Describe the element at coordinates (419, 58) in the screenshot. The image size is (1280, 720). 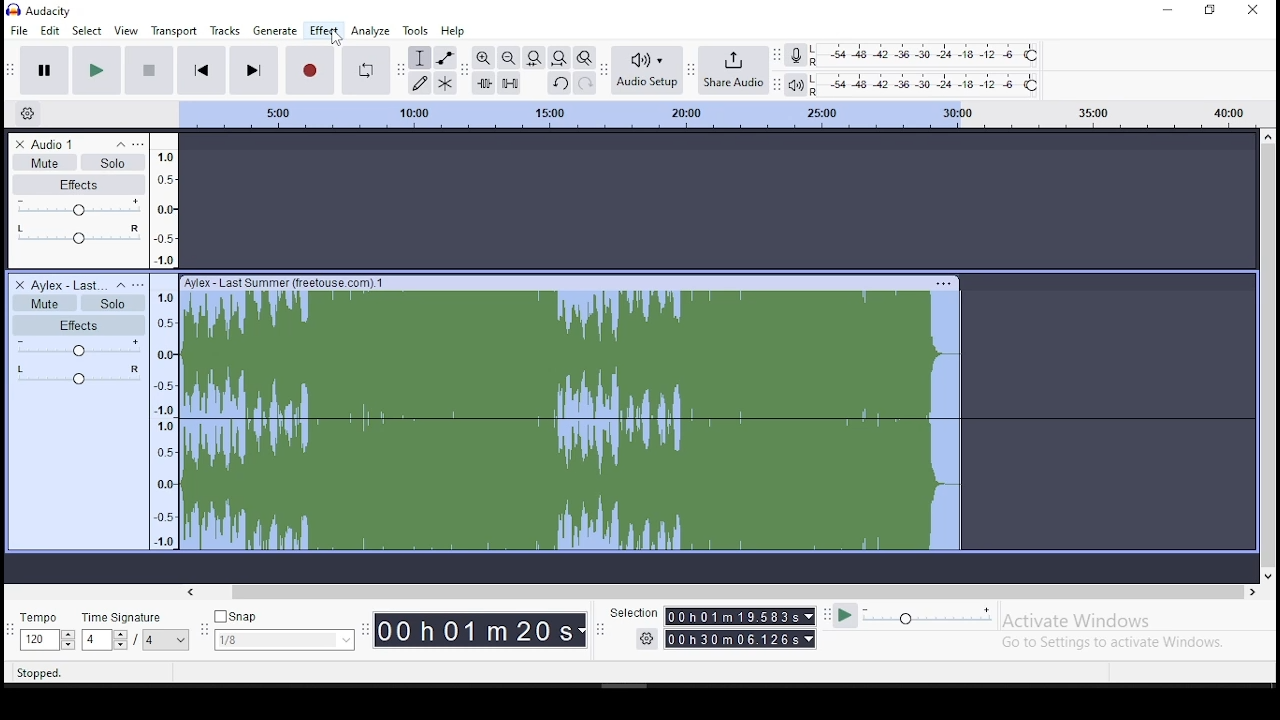
I see `selection tool` at that location.